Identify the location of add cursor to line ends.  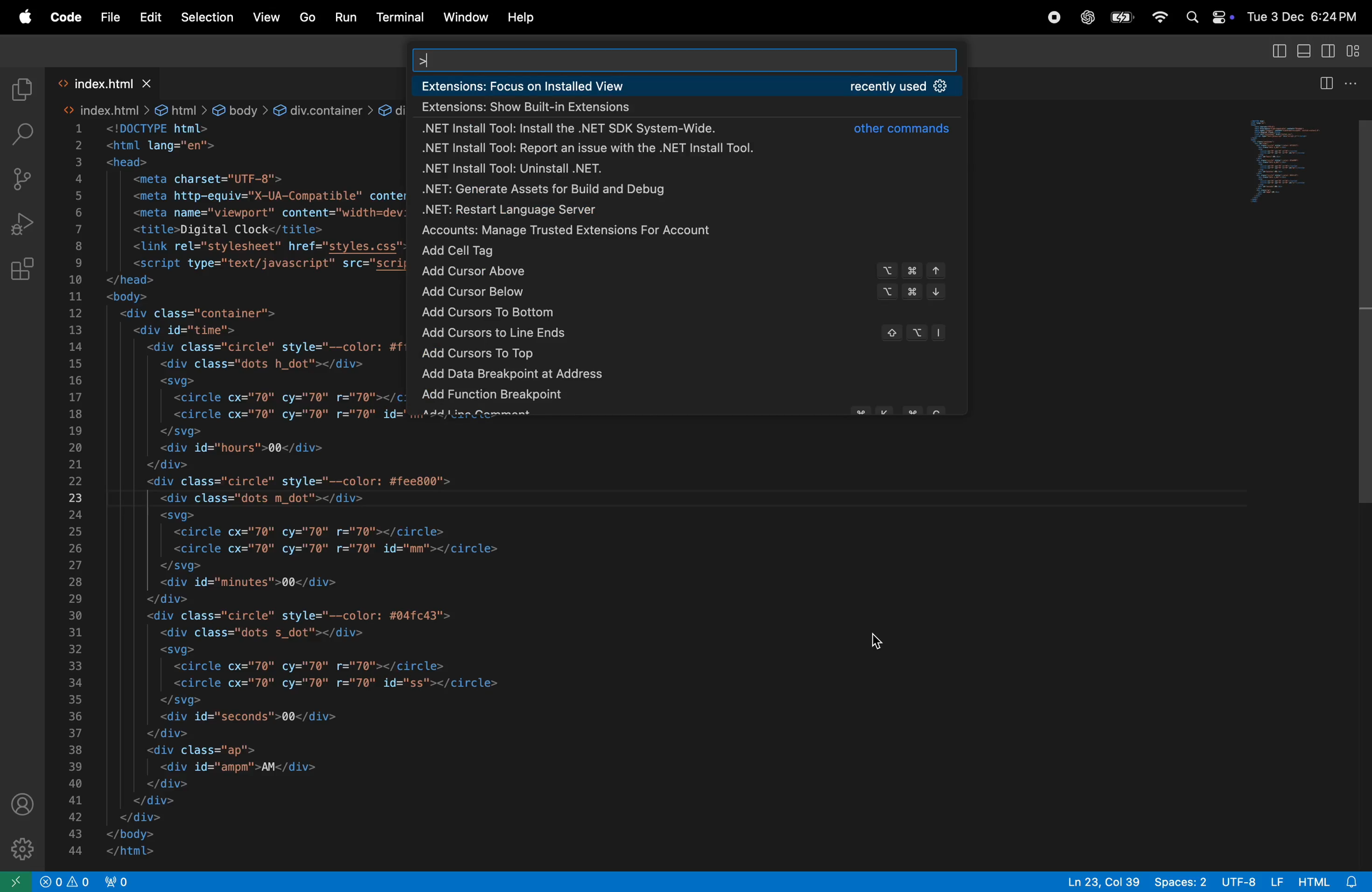
(689, 332).